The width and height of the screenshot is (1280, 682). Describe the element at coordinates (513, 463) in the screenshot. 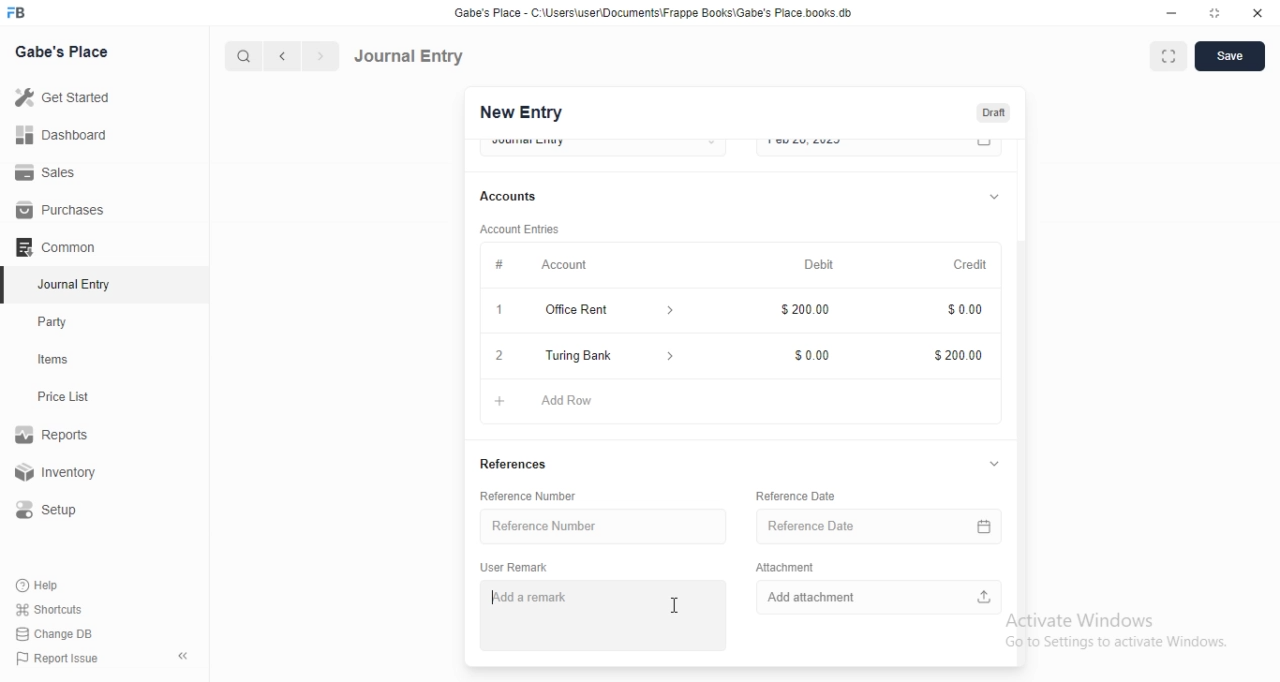

I see `References` at that location.